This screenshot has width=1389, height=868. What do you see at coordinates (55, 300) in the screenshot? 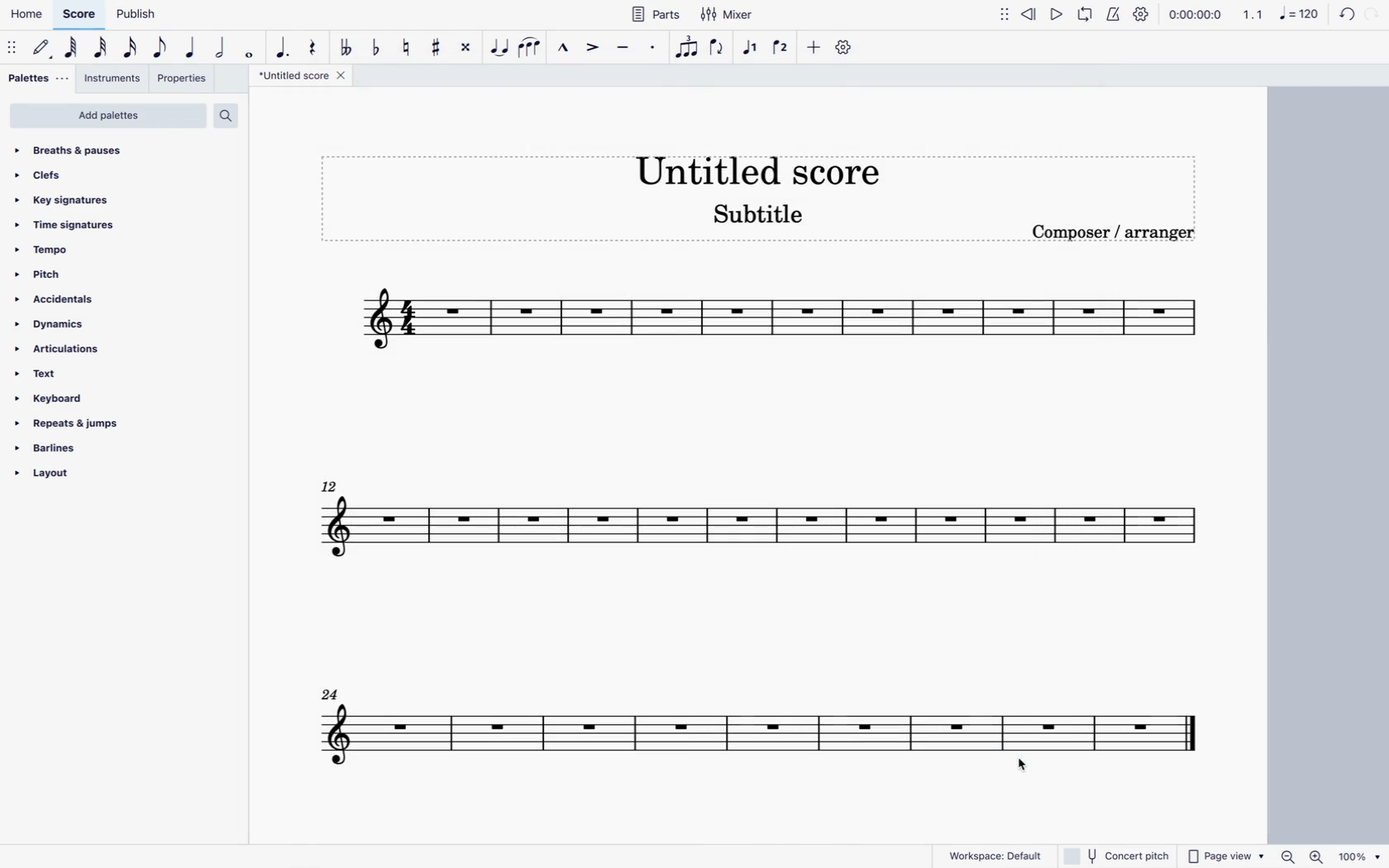
I see `accidentals` at bounding box center [55, 300].